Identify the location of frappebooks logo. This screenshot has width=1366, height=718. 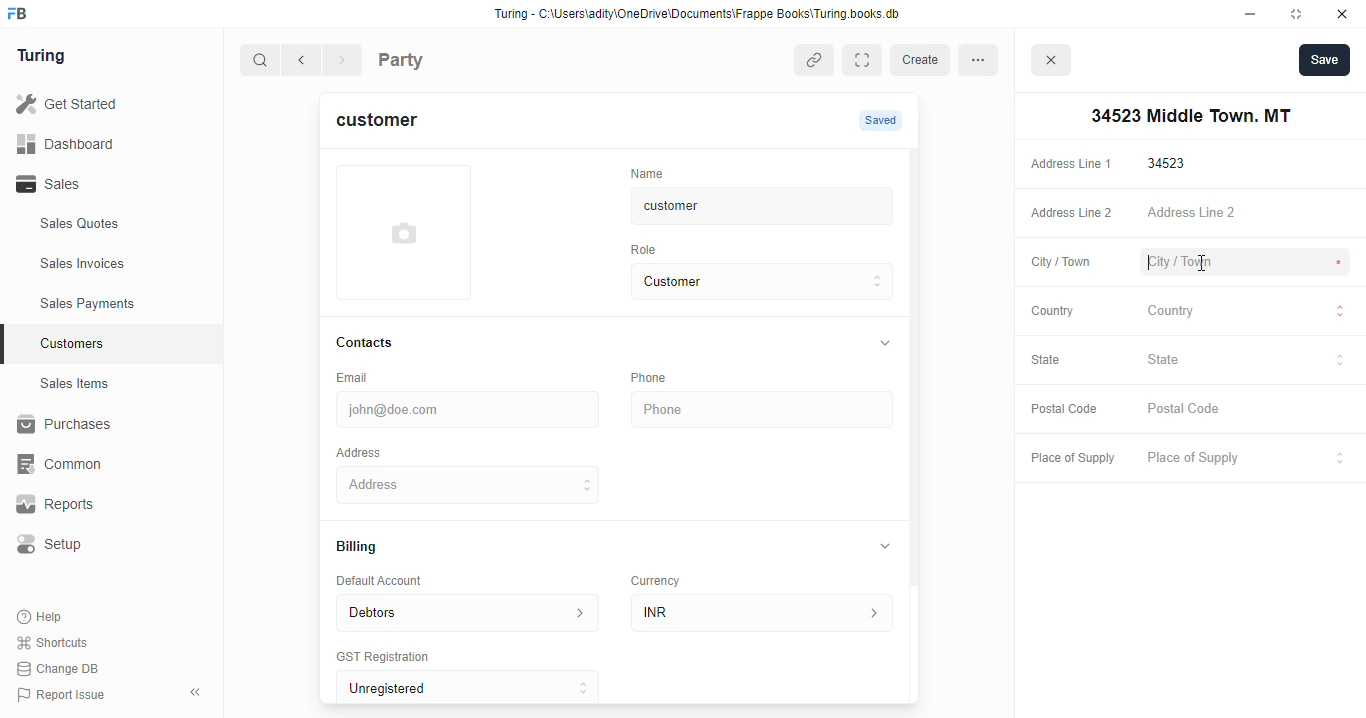
(23, 15).